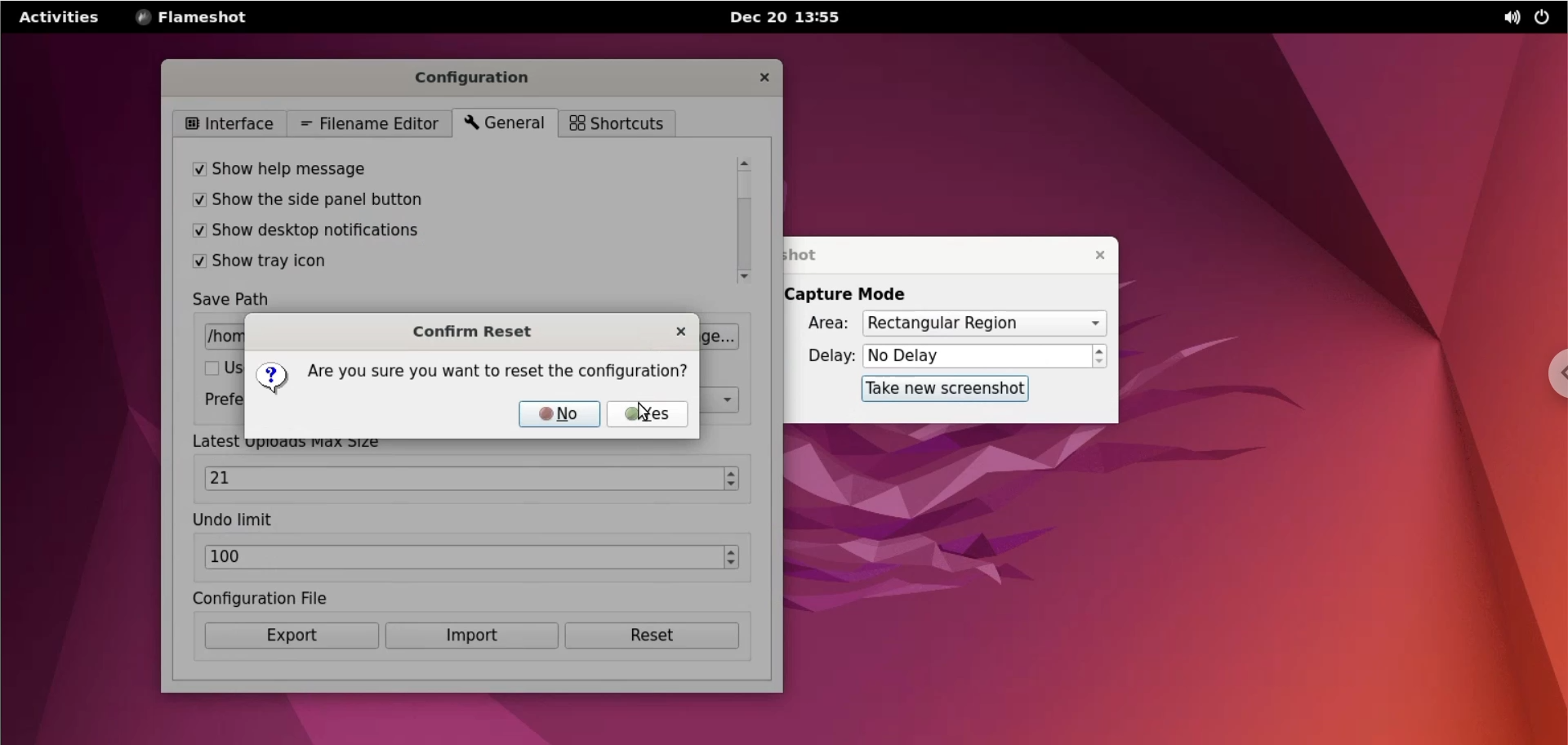 Image resolution: width=1568 pixels, height=745 pixels. I want to click on confirm reset , so click(486, 332).